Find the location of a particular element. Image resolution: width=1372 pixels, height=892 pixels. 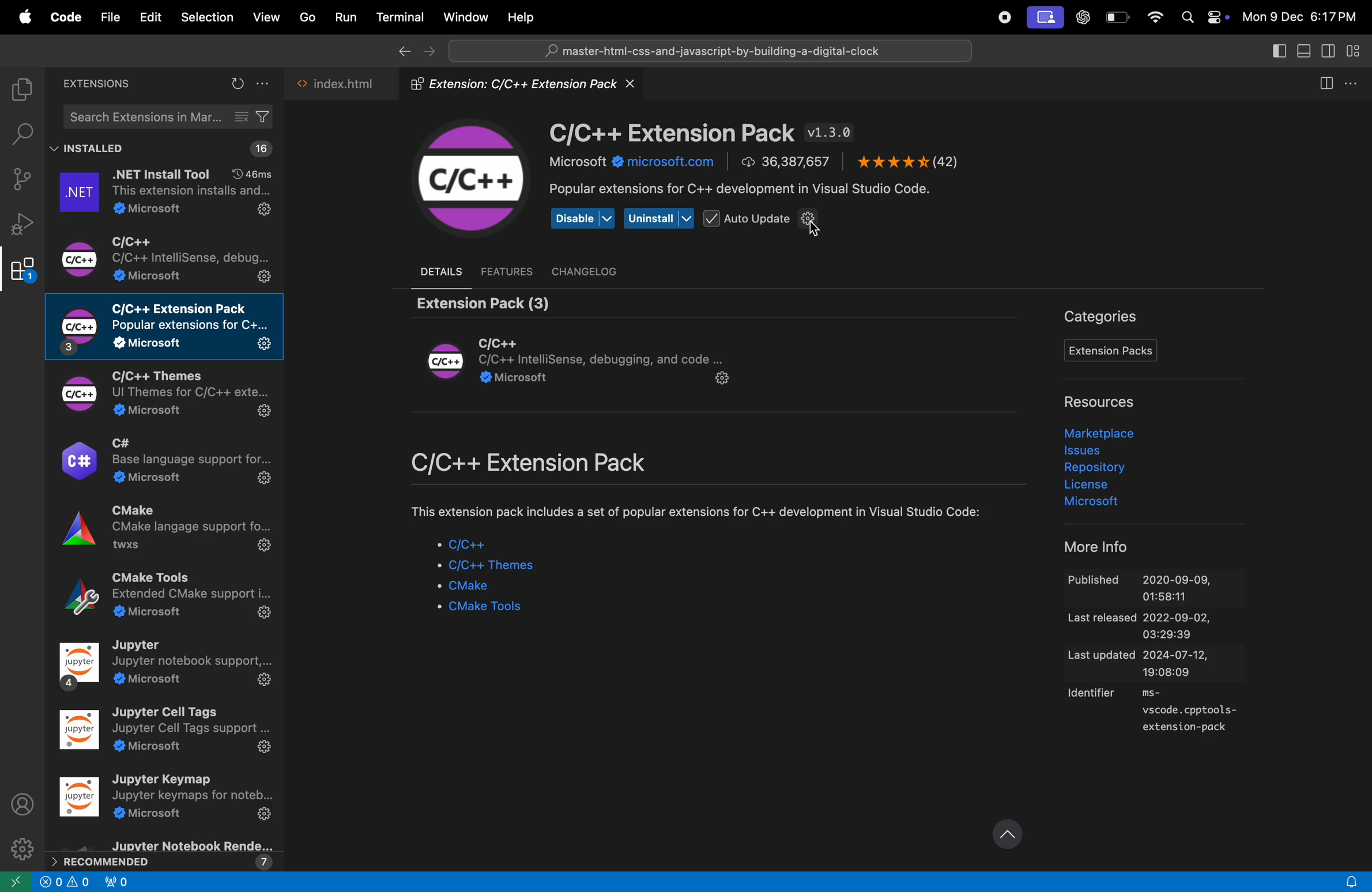

issues is located at coordinates (1090, 451).